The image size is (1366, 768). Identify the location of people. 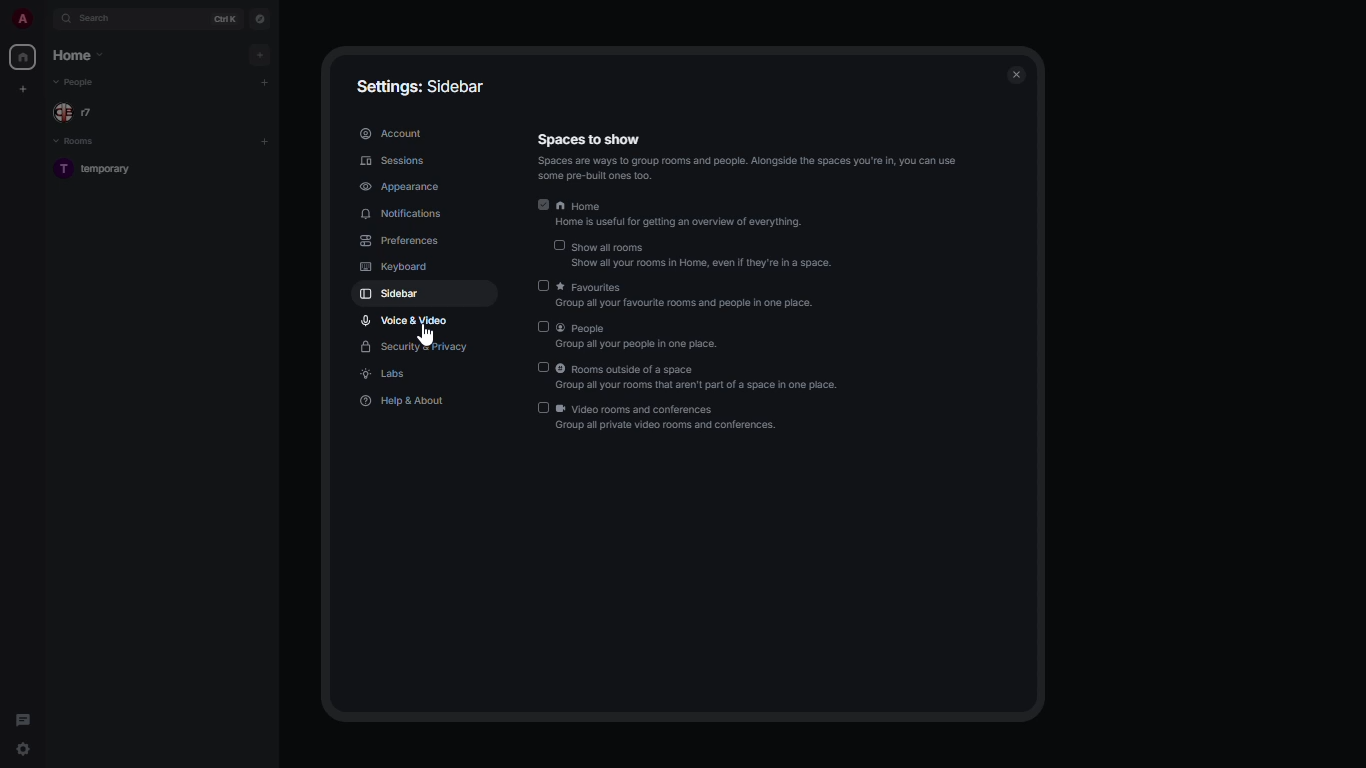
(80, 112).